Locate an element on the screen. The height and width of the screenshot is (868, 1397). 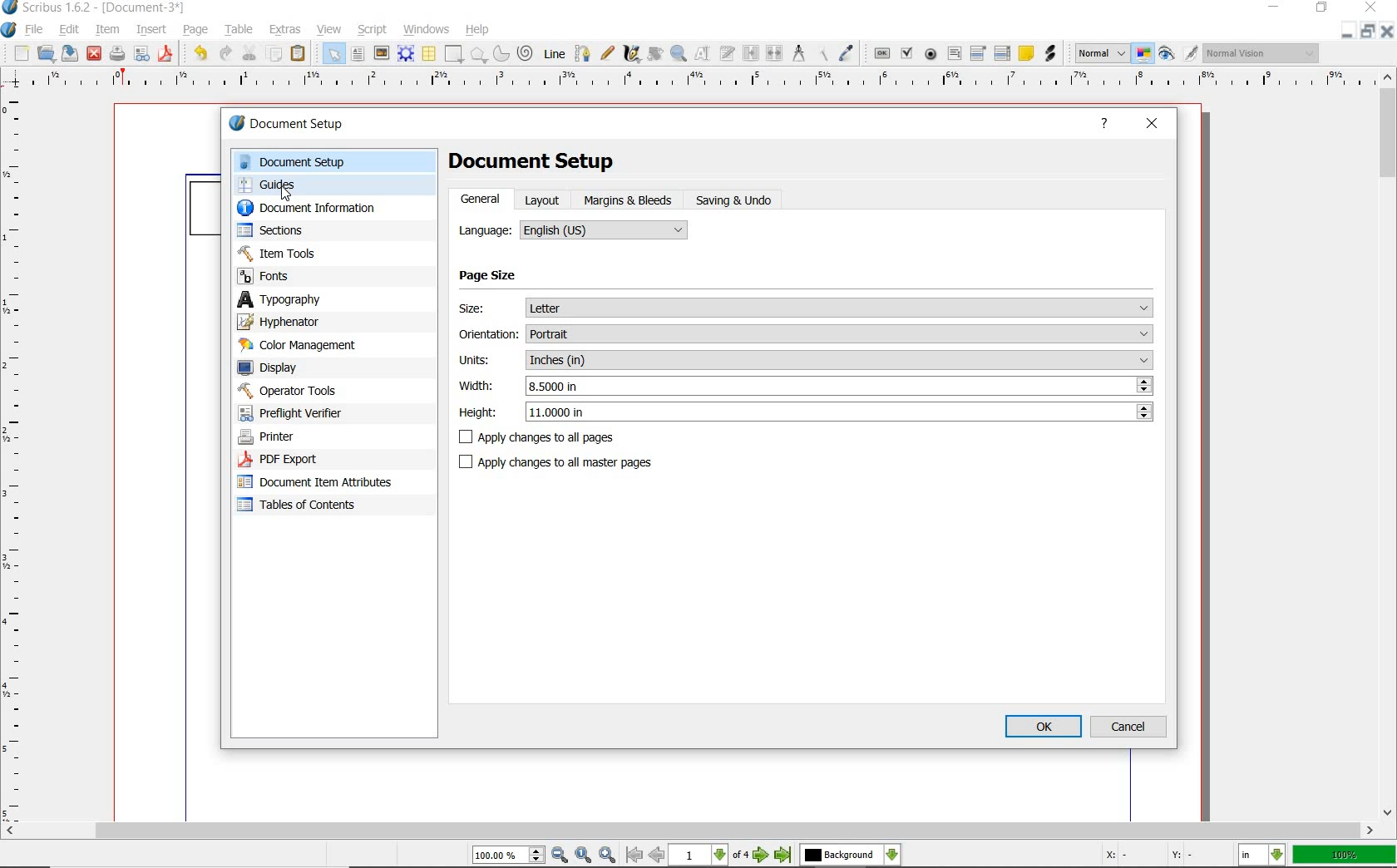
sections is located at coordinates (322, 232).